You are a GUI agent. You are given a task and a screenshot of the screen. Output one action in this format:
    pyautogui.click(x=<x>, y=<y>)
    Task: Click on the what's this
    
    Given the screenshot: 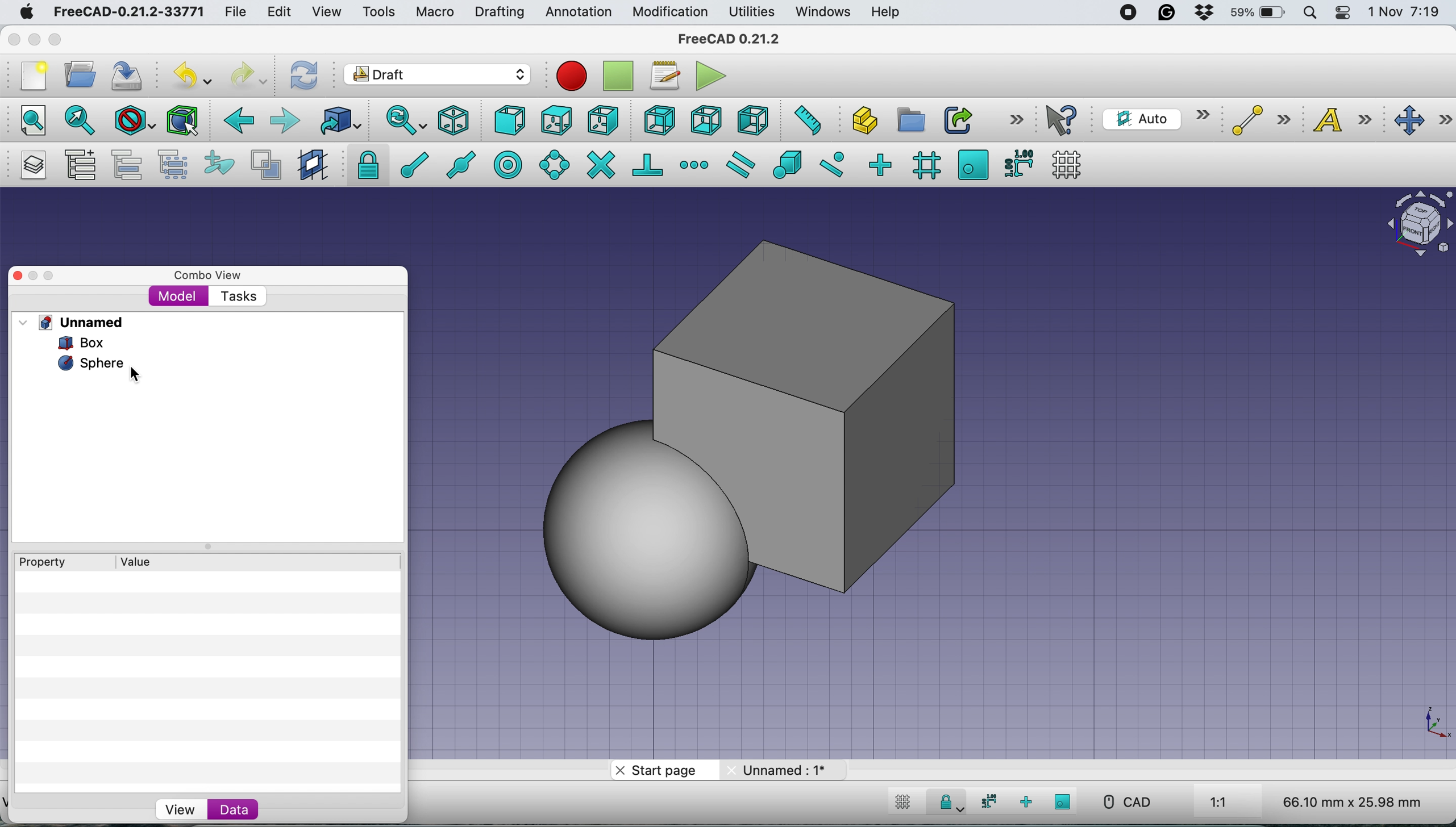 What is the action you would take?
    pyautogui.click(x=1063, y=120)
    